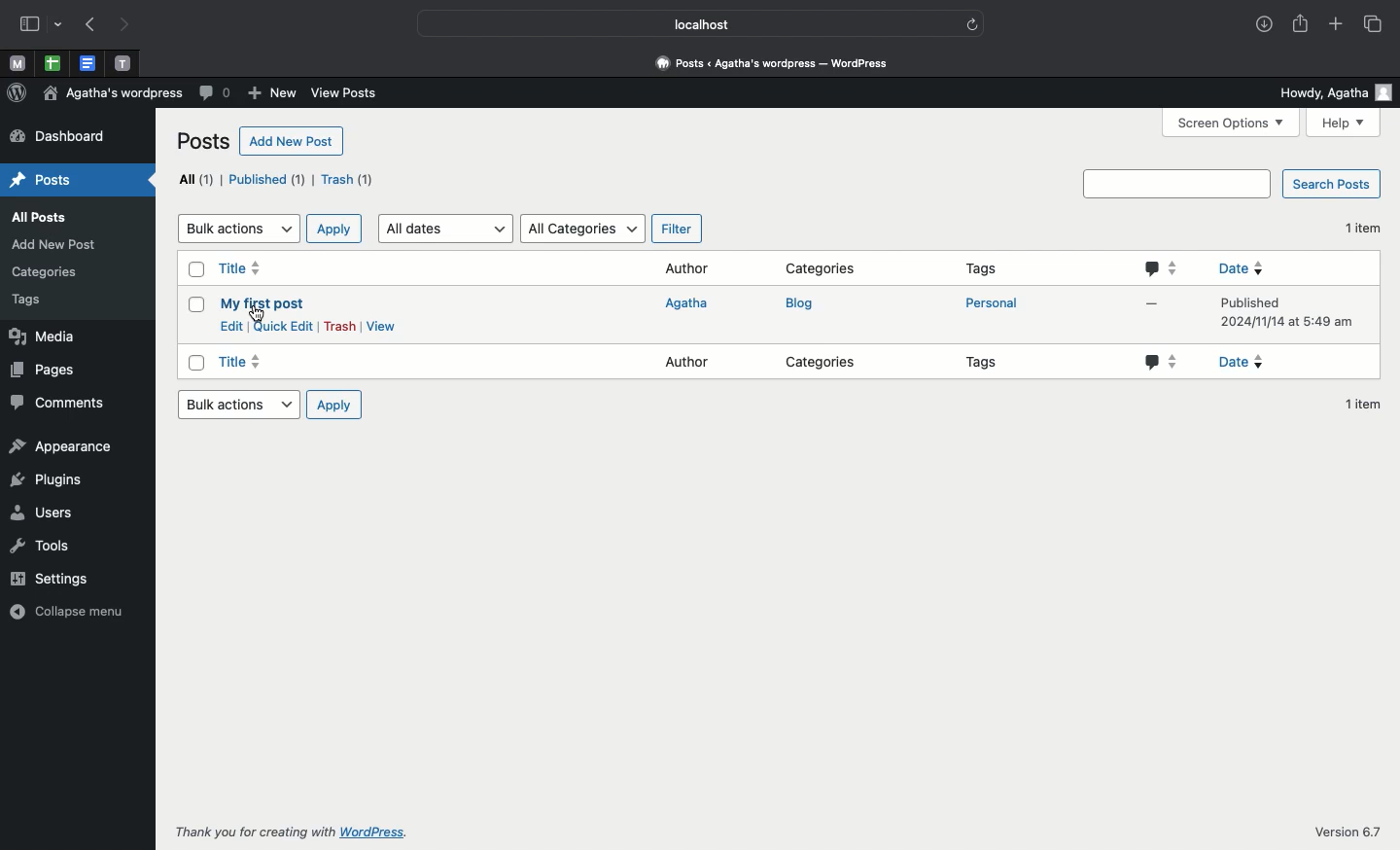 Image resolution: width=1400 pixels, height=850 pixels. What do you see at coordinates (196, 364) in the screenshot?
I see `checkbox` at bounding box center [196, 364].